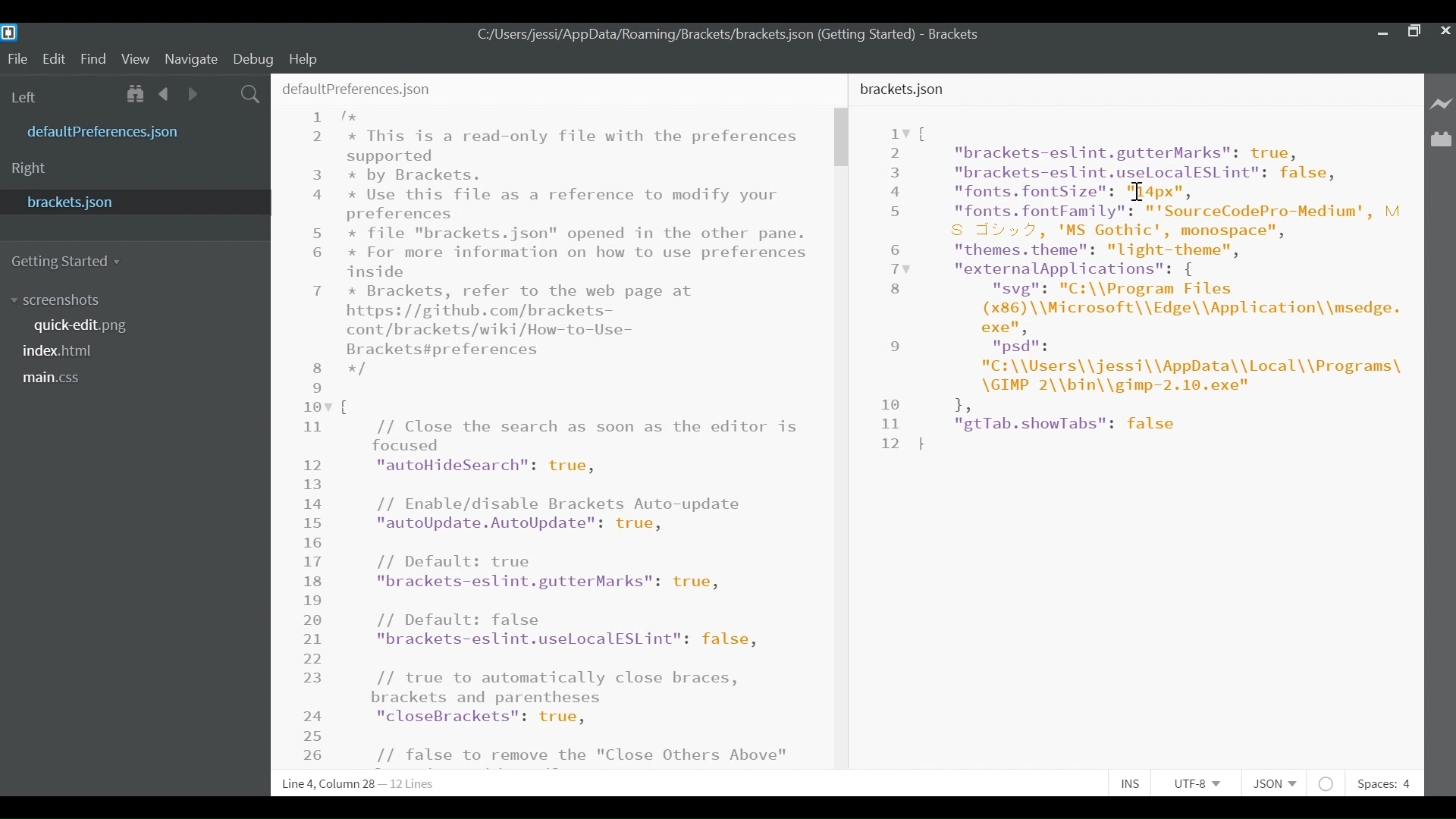 This screenshot has width=1456, height=819. I want to click on Find, so click(96, 60).